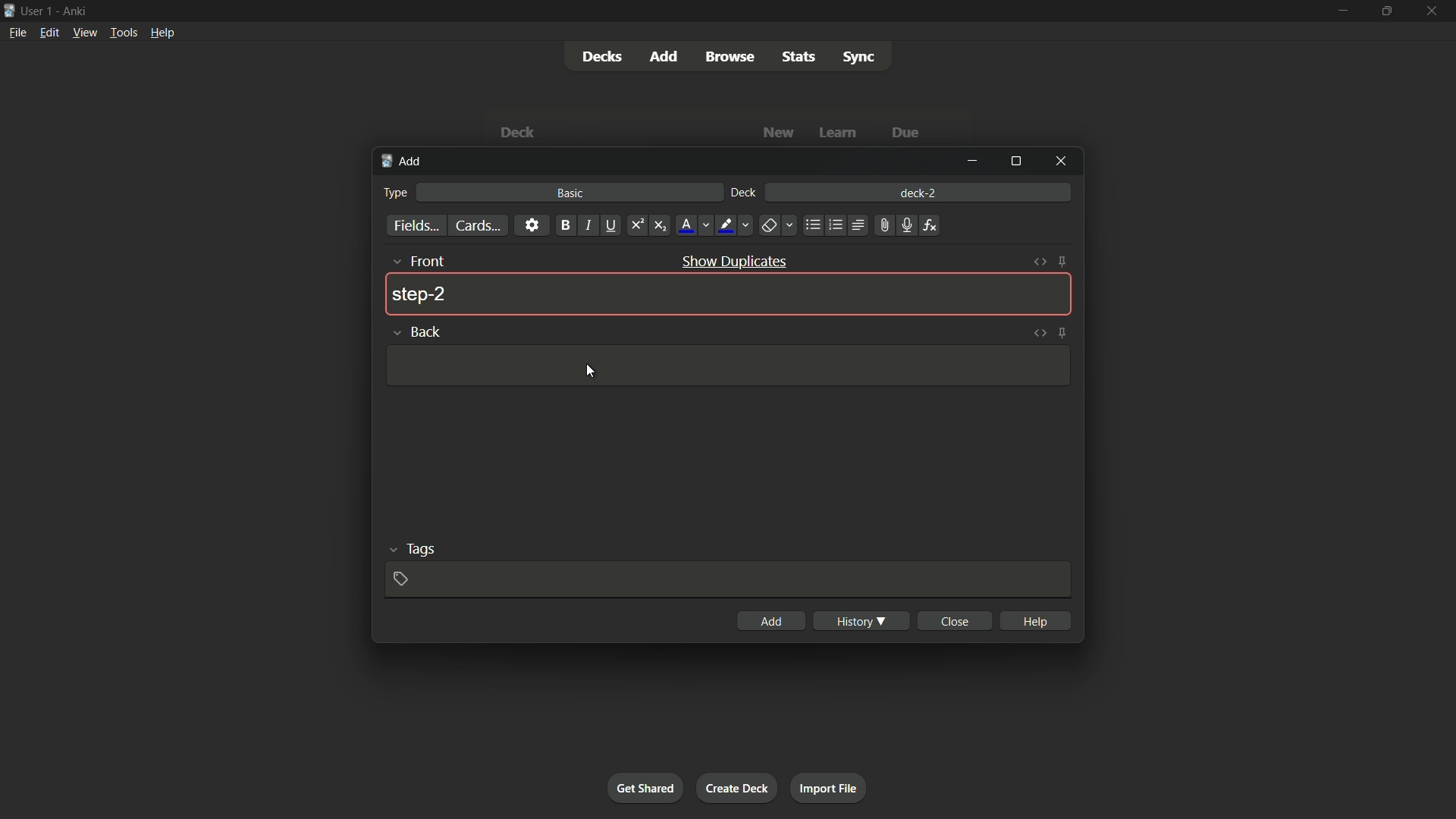 The image size is (1456, 819). Describe the element at coordinates (799, 56) in the screenshot. I see `stats` at that location.